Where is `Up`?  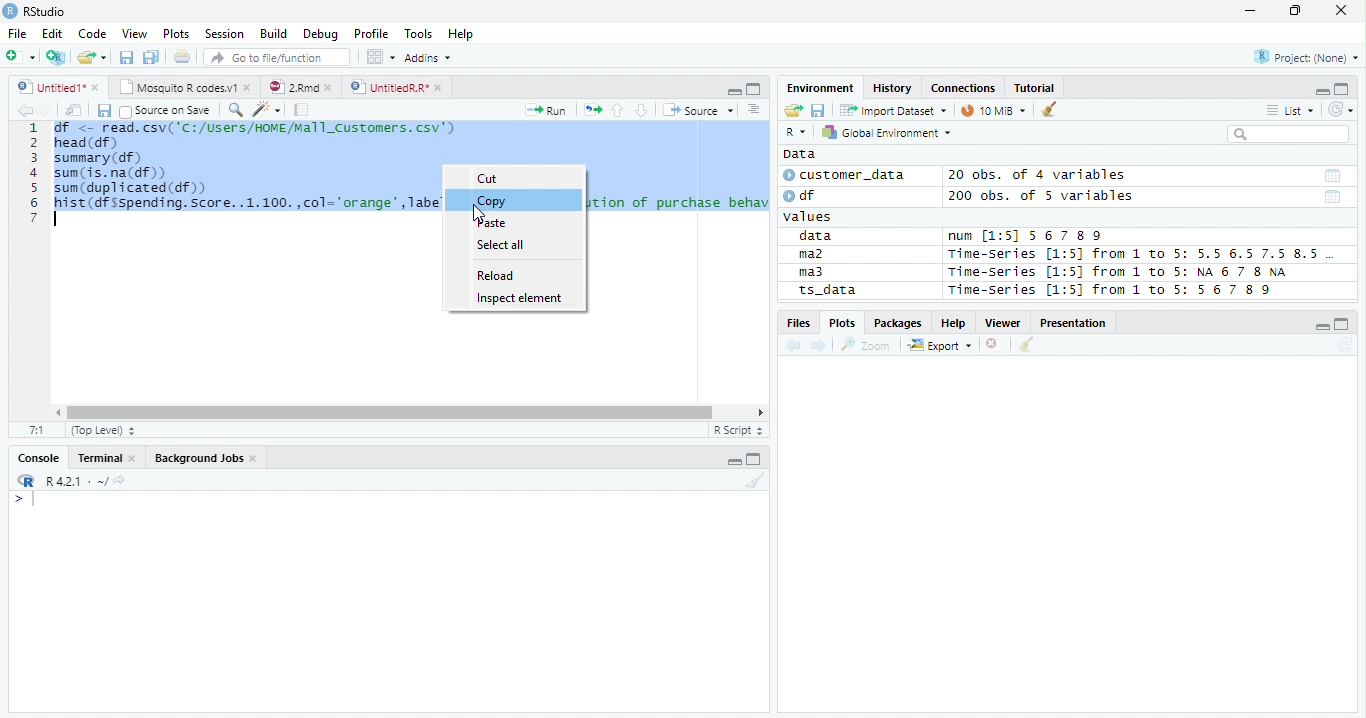
Up is located at coordinates (617, 111).